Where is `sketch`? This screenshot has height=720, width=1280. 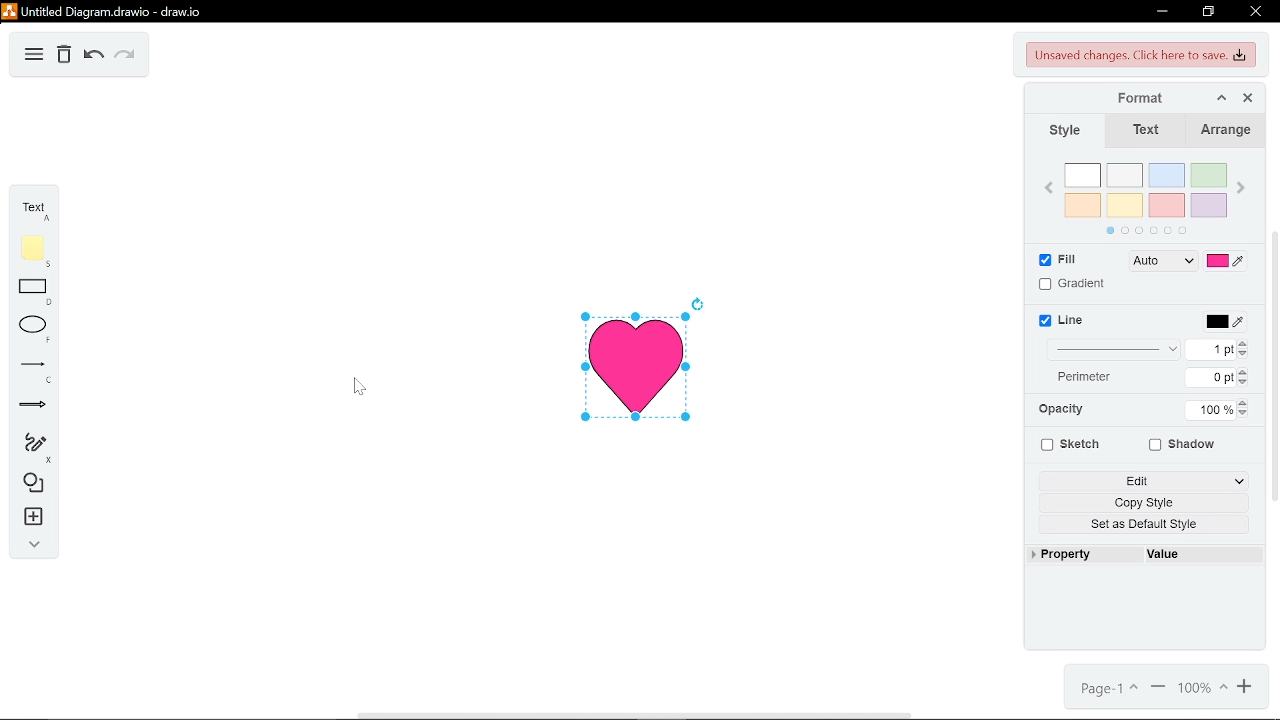 sketch is located at coordinates (1068, 444).